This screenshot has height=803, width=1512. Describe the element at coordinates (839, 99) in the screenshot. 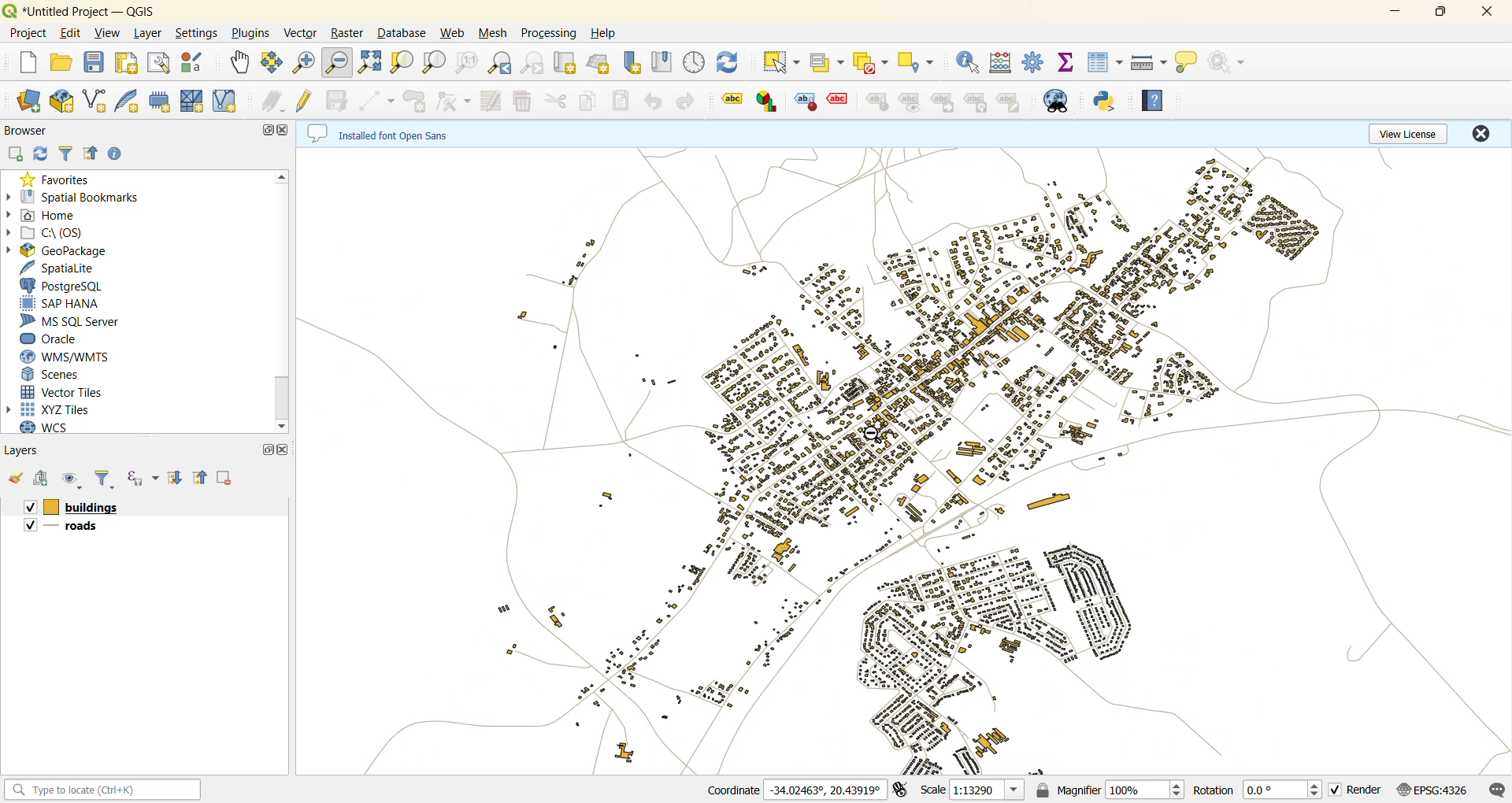

I see `label` at that location.